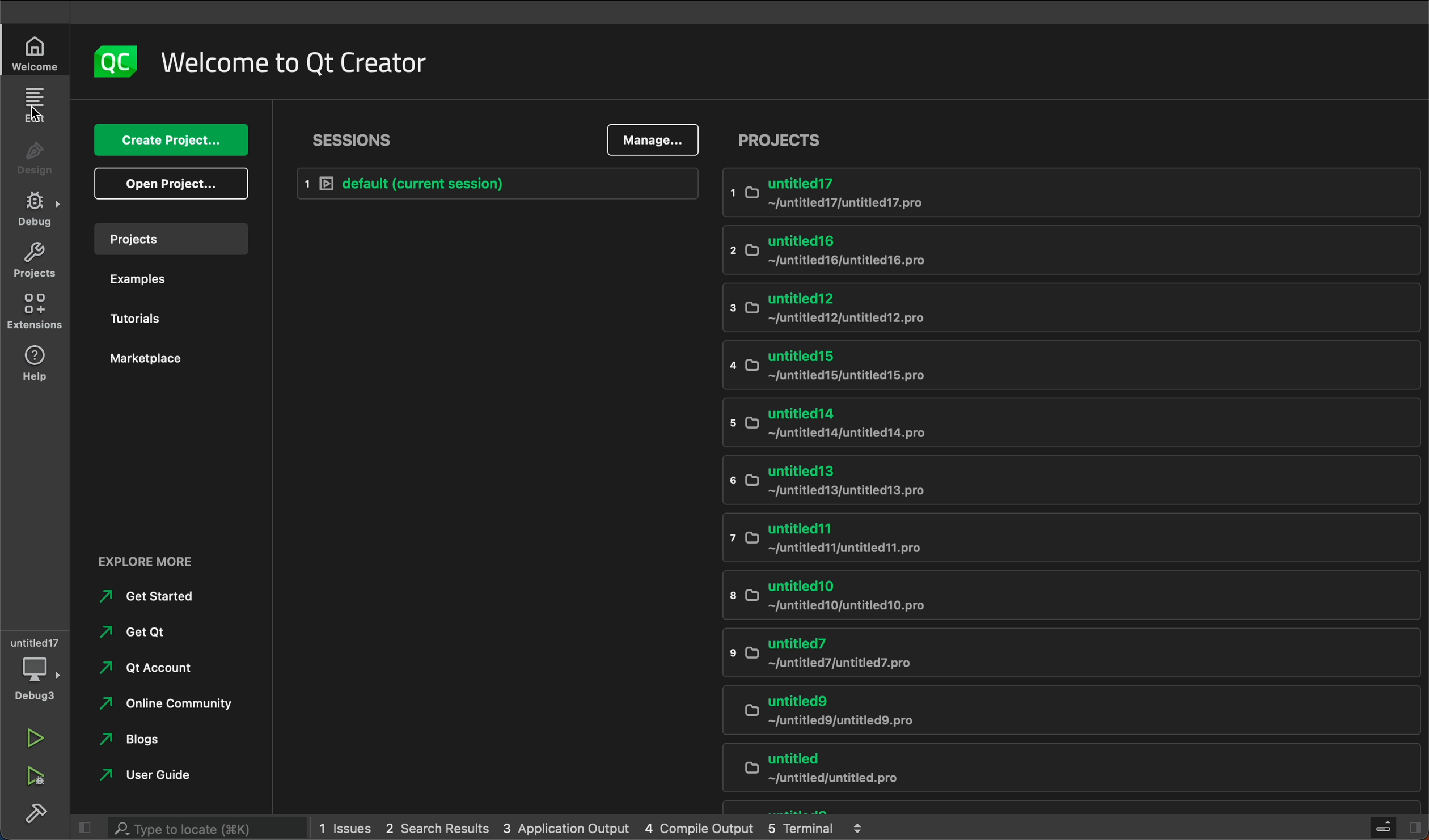  What do you see at coordinates (158, 633) in the screenshot?
I see `get qt` at bounding box center [158, 633].